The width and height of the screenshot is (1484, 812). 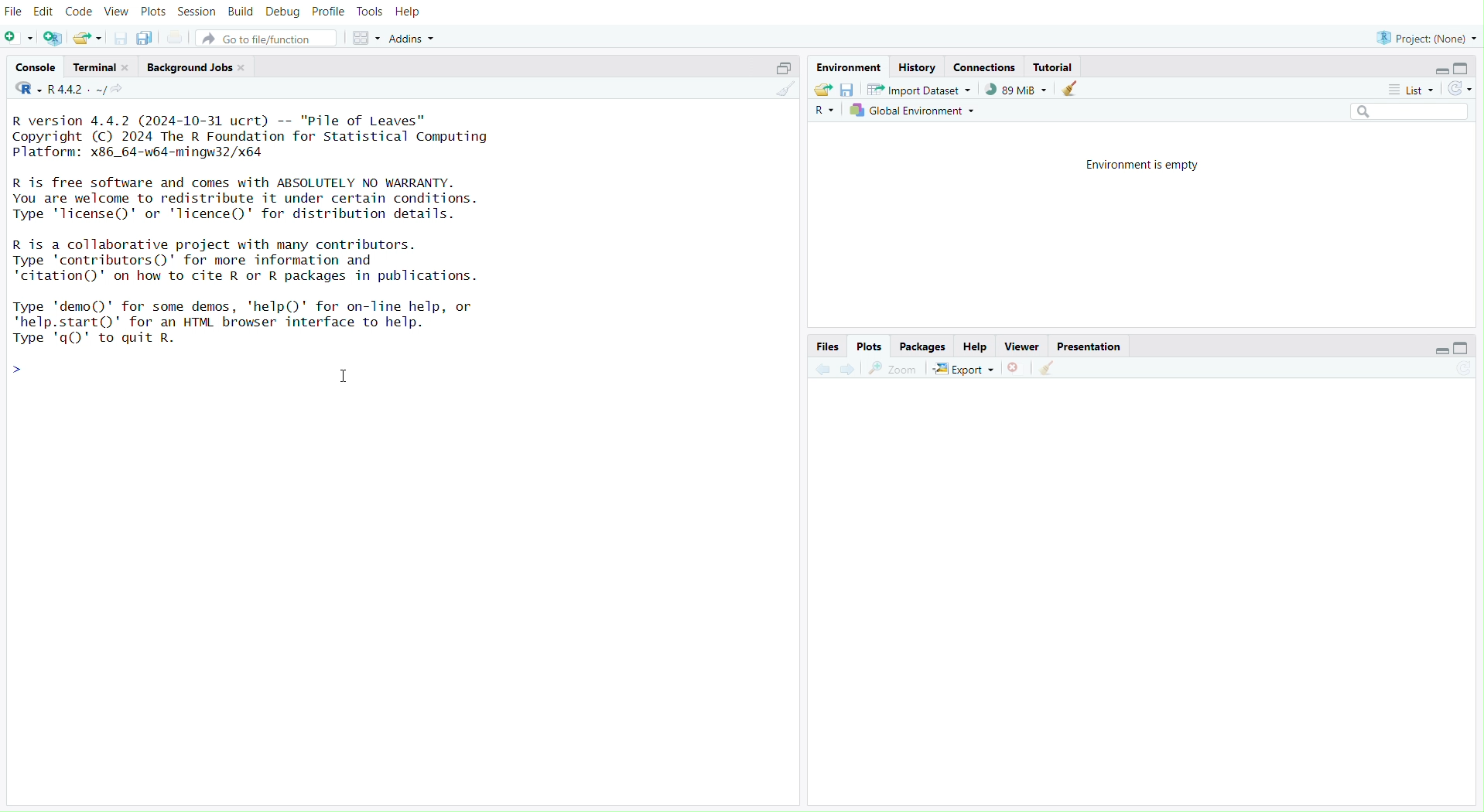 What do you see at coordinates (1458, 67) in the screenshot?
I see `Maximize` at bounding box center [1458, 67].